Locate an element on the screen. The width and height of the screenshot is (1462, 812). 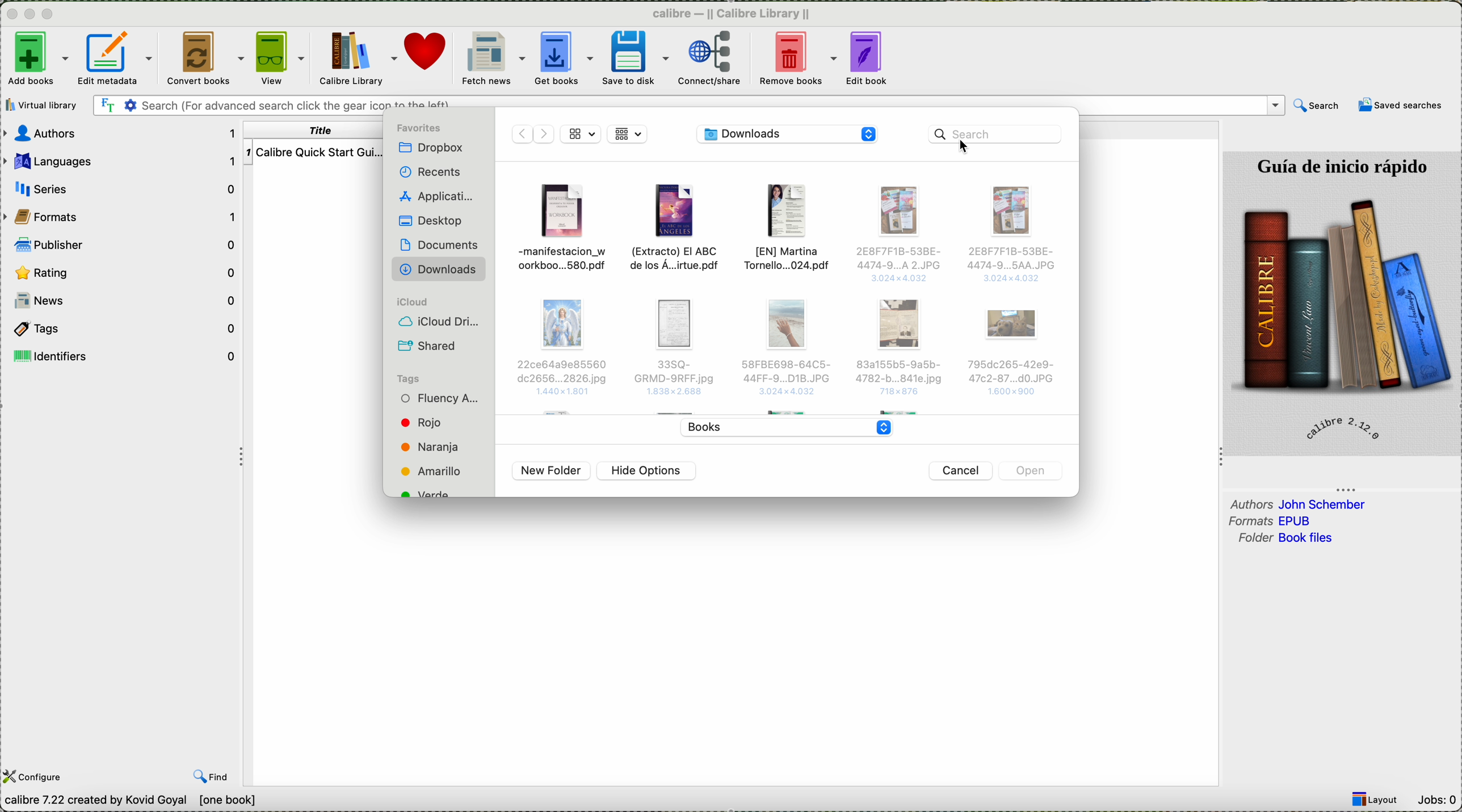
grid view is located at coordinates (628, 133).